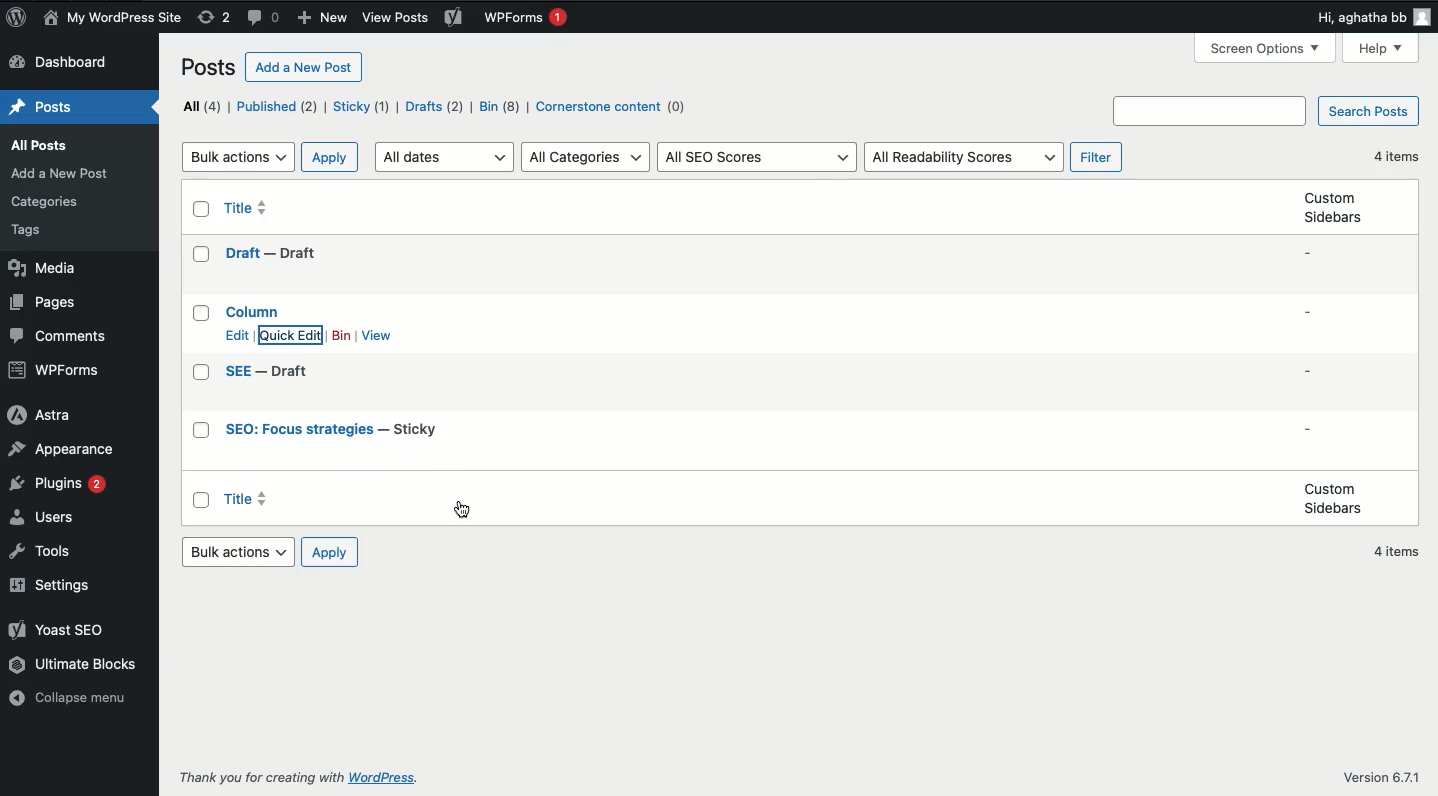  Describe the element at coordinates (1333, 208) in the screenshot. I see `Custom sidebars` at that location.